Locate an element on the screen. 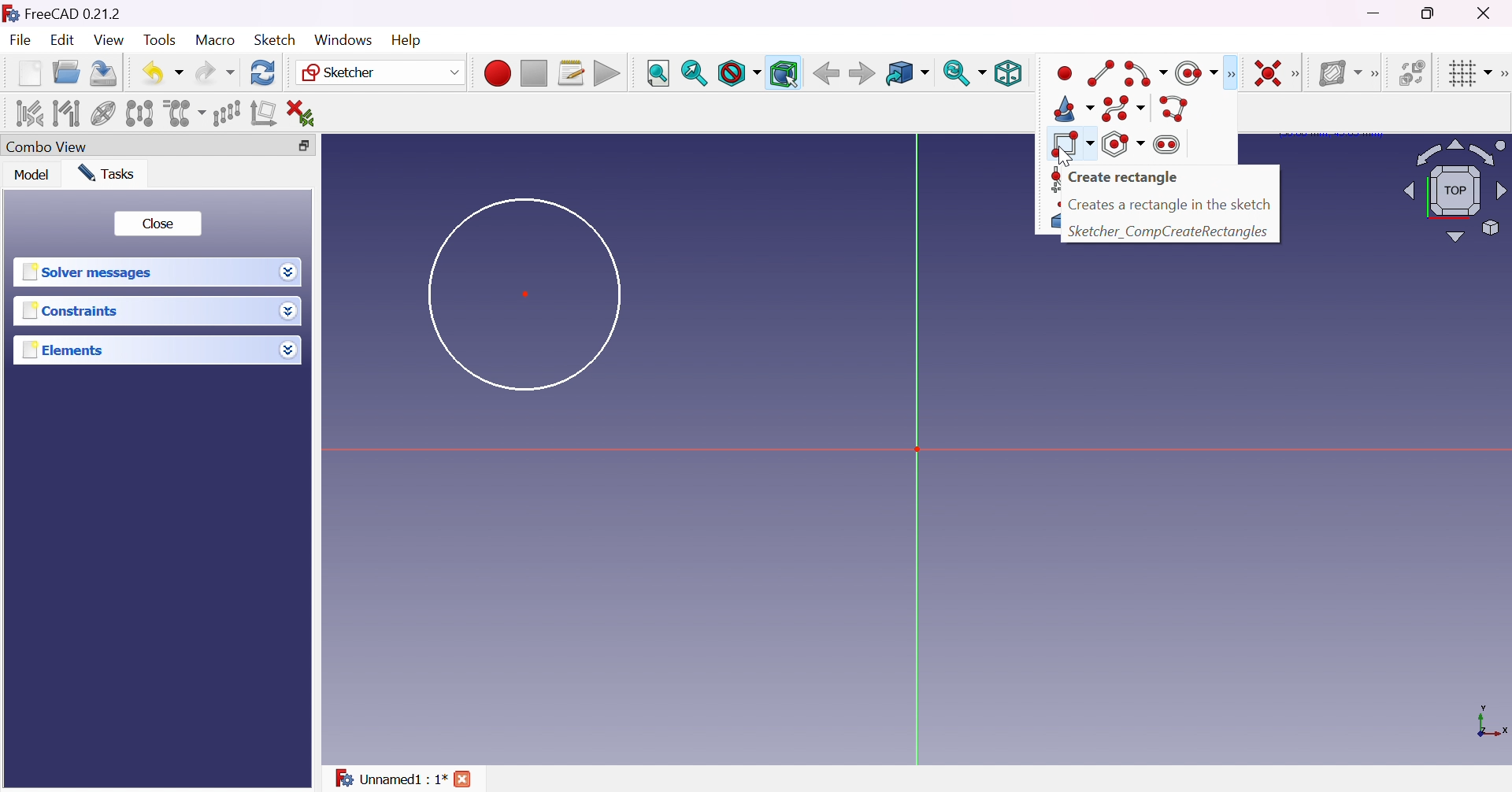  Back is located at coordinates (826, 72).